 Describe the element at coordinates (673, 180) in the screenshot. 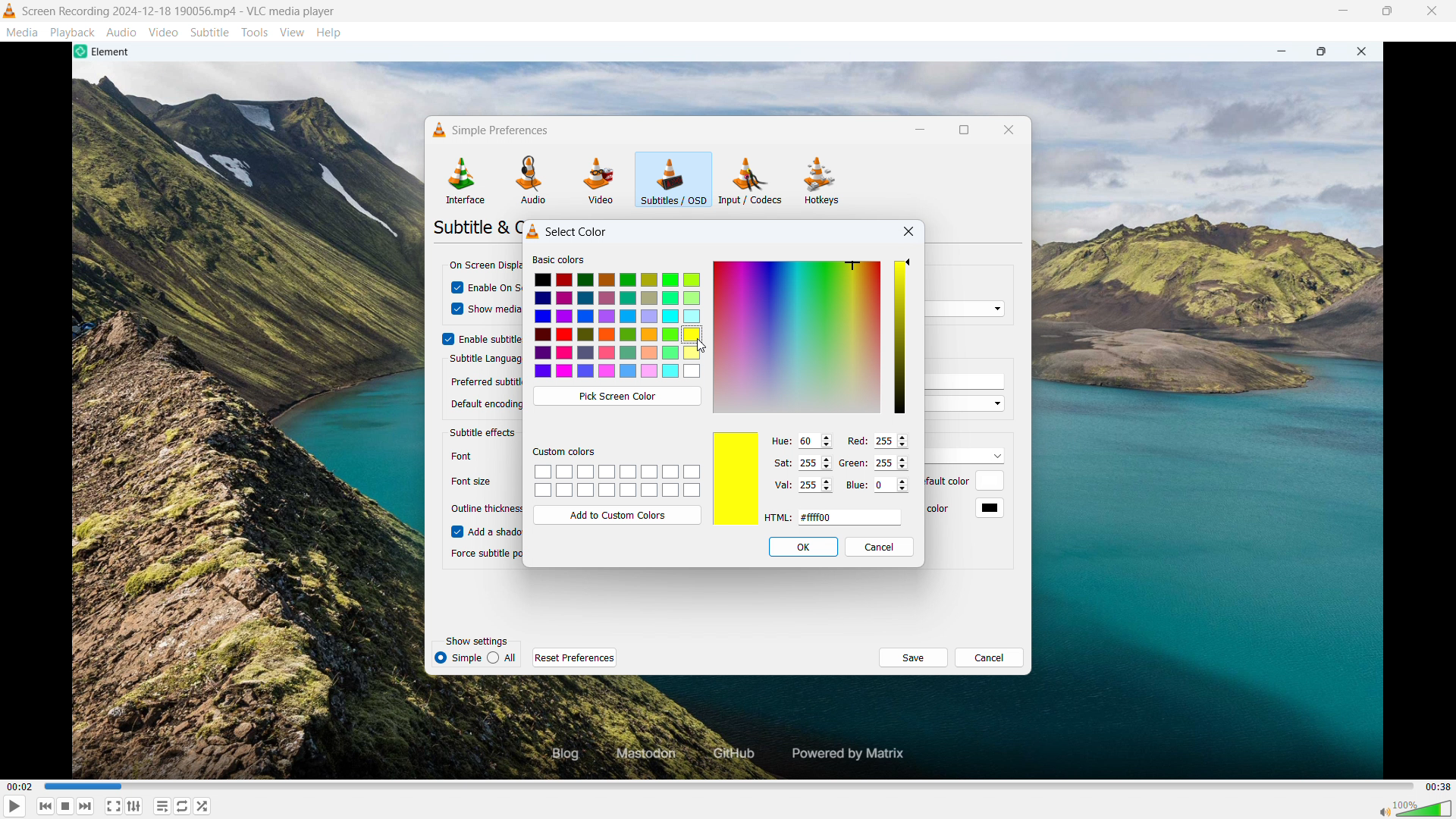

I see `Subtitles or OSD ` at that location.